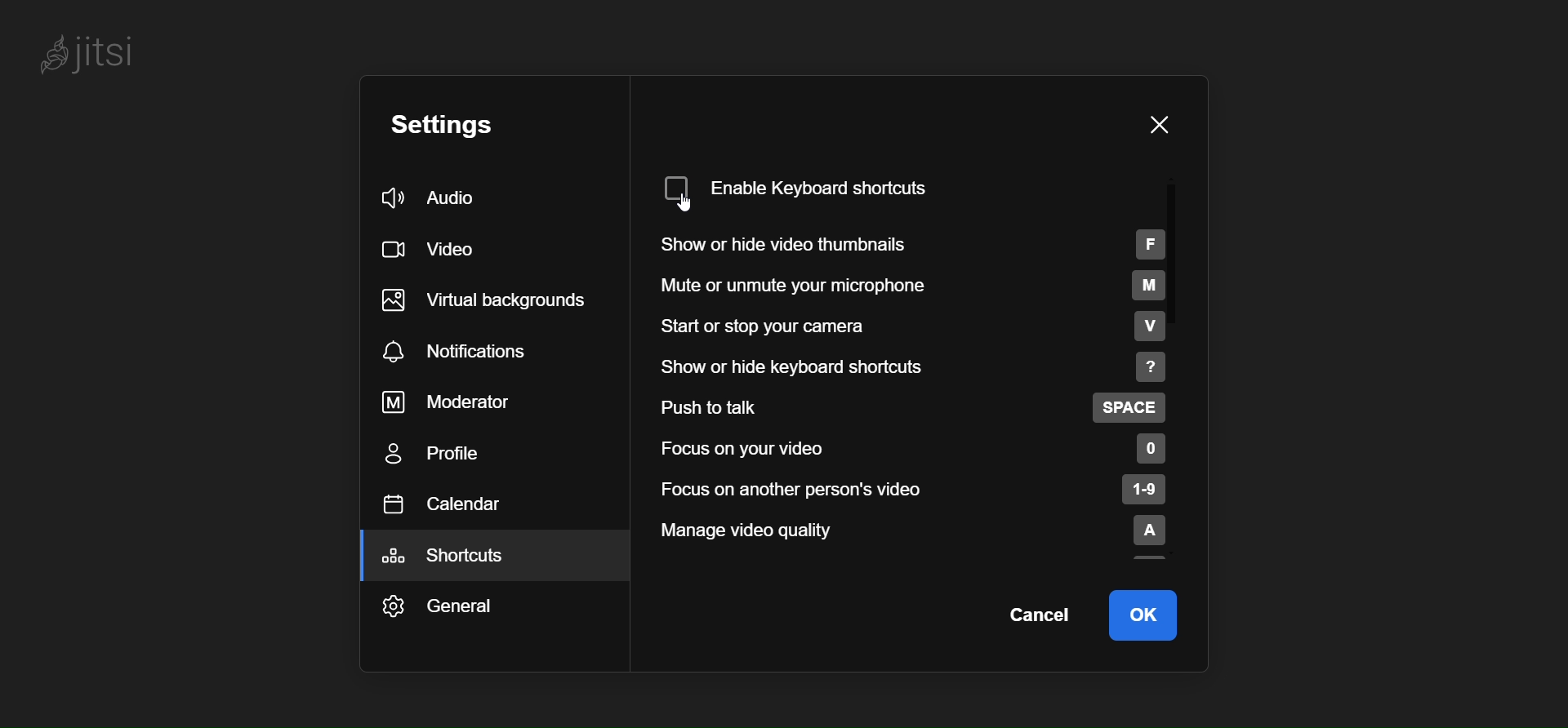 Image resolution: width=1568 pixels, height=728 pixels. Describe the element at coordinates (428, 193) in the screenshot. I see `audio` at that location.